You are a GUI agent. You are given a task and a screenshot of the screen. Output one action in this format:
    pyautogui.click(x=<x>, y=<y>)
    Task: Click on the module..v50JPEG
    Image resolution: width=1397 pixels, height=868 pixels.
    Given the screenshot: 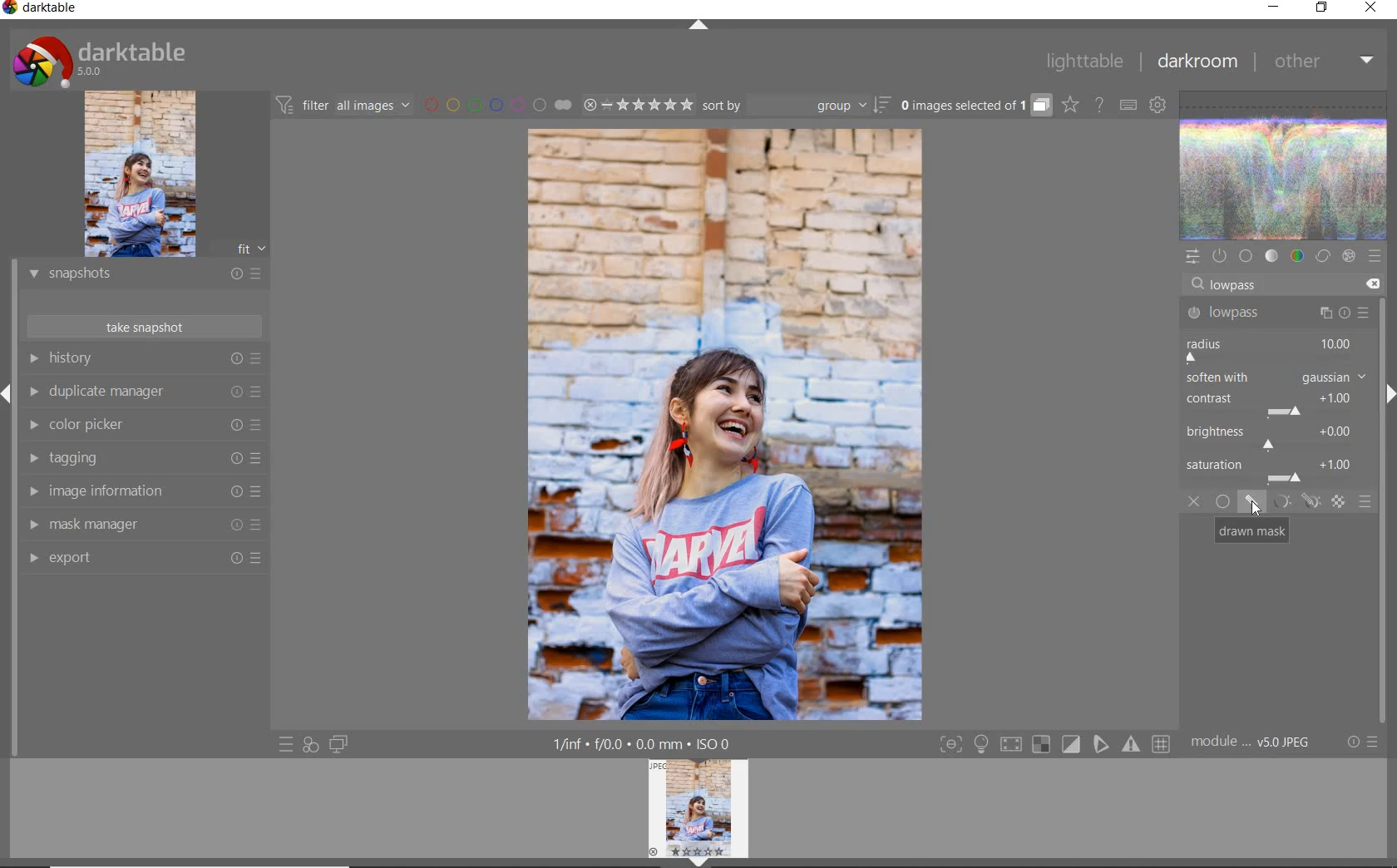 What is the action you would take?
    pyautogui.click(x=1253, y=743)
    